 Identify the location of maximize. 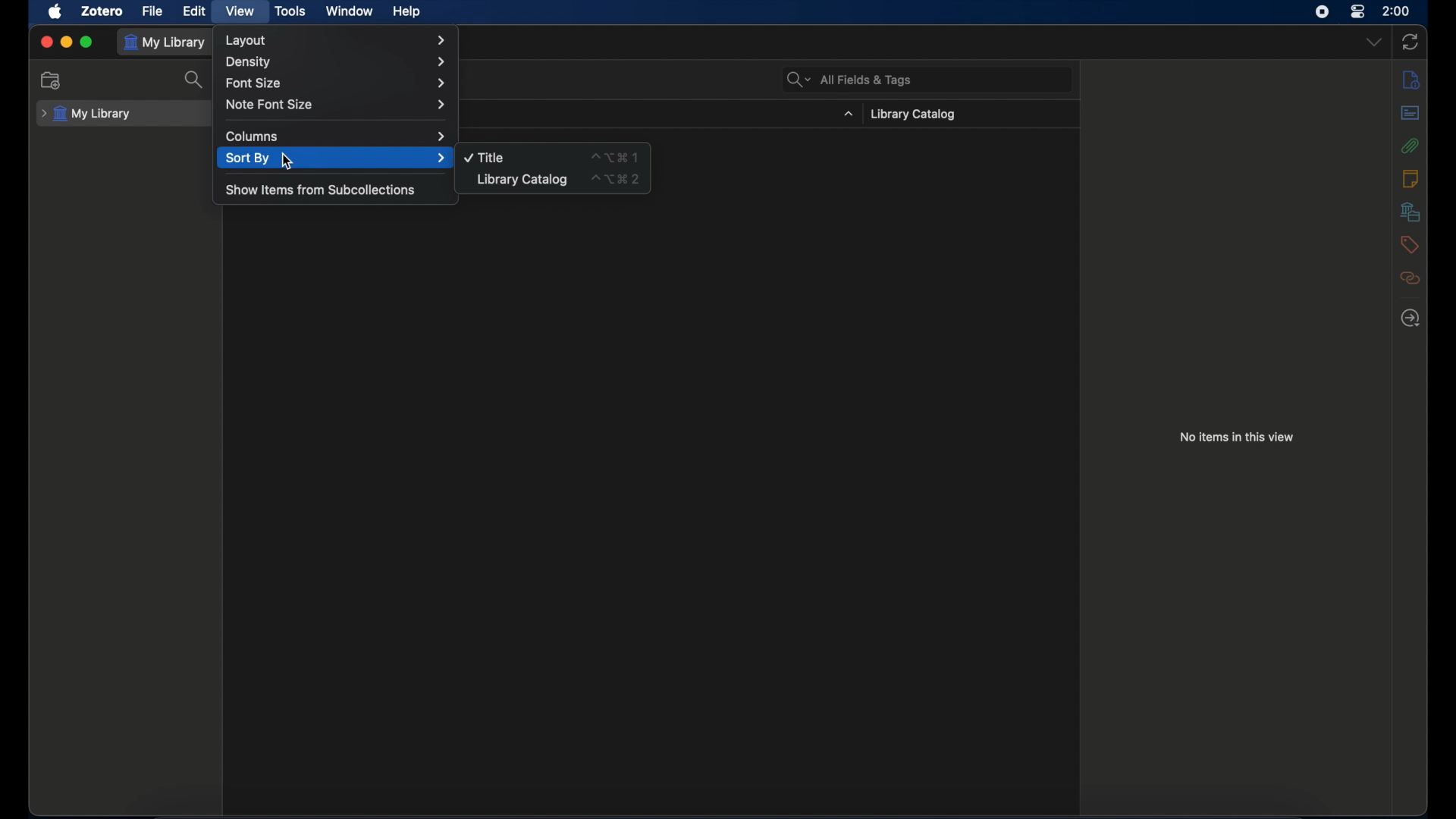
(86, 40).